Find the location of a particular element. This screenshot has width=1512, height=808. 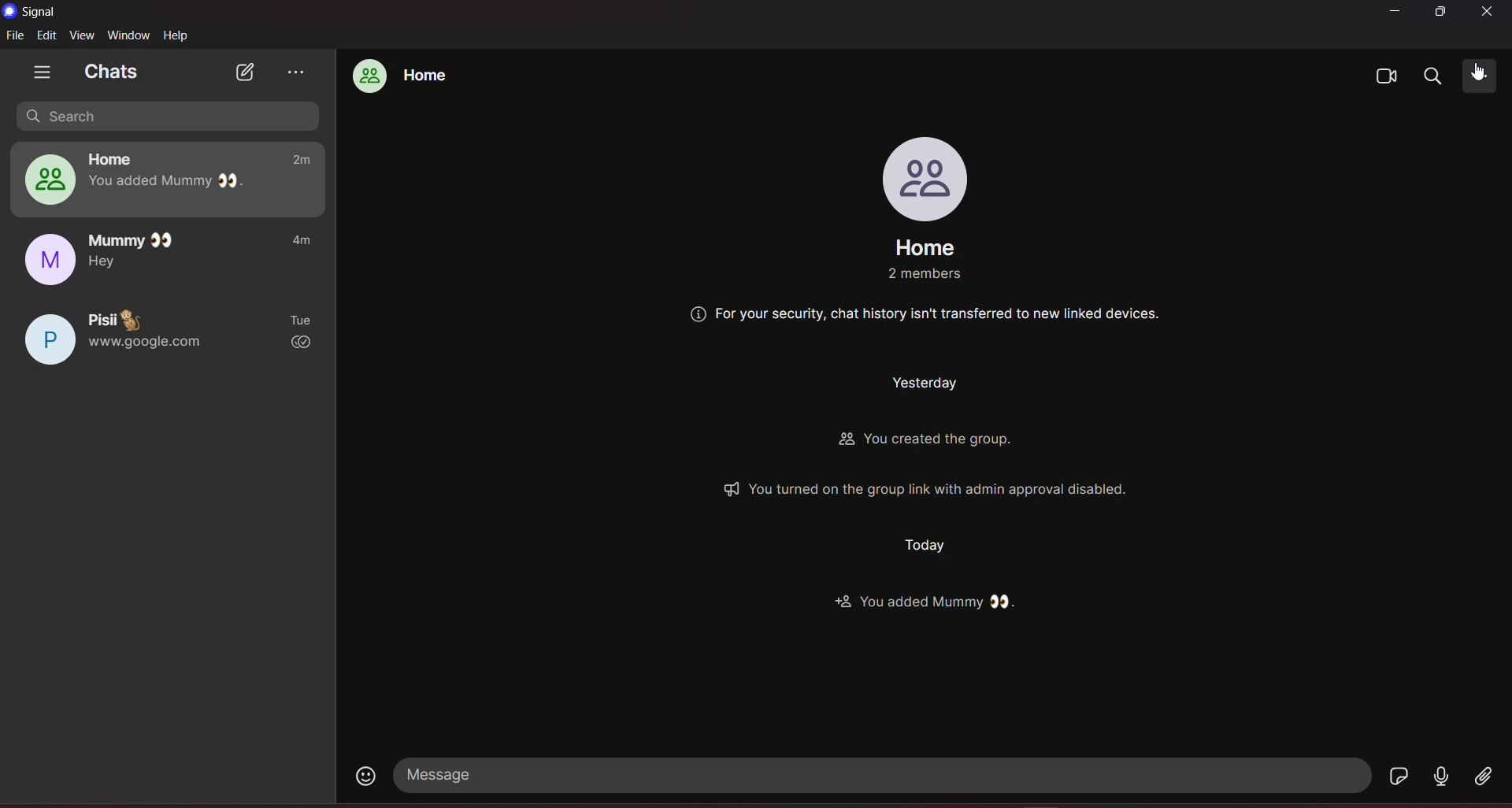

group name is located at coordinates (926, 247).